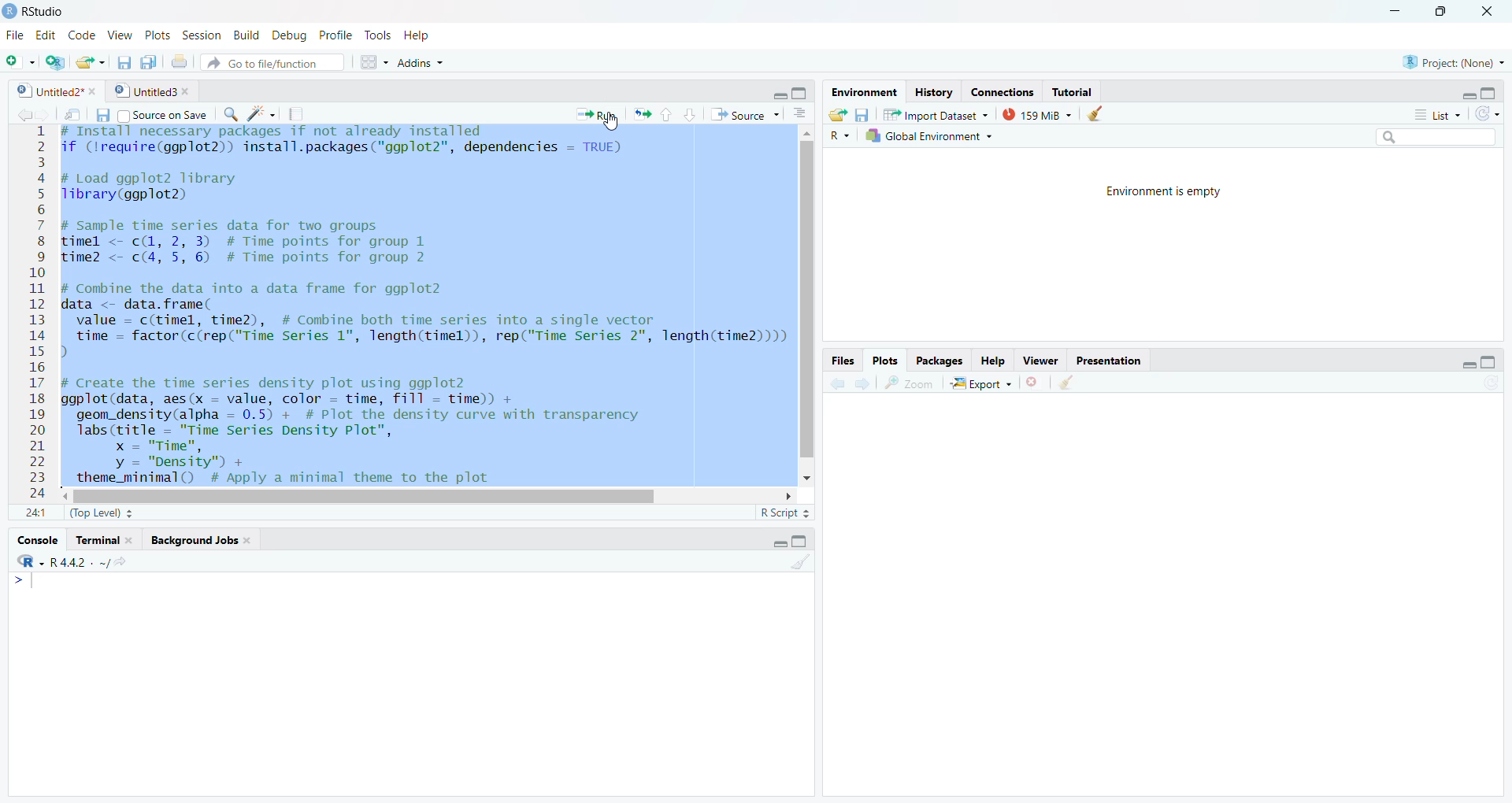 The width and height of the screenshot is (1512, 803). I want to click on Scroll, so click(804, 305).